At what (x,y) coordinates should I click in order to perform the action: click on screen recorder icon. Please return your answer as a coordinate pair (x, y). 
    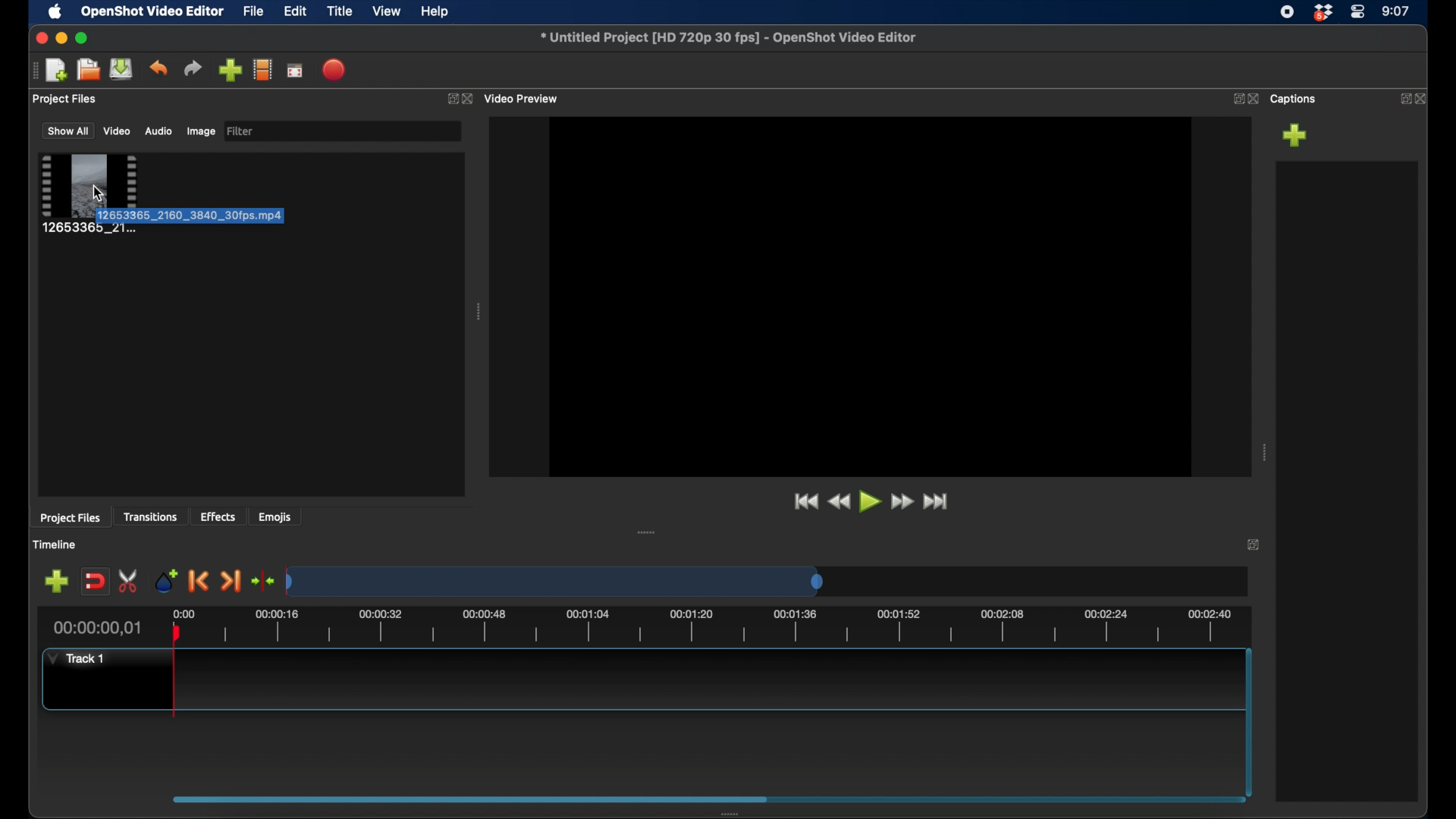
    Looking at the image, I should click on (1287, 12).